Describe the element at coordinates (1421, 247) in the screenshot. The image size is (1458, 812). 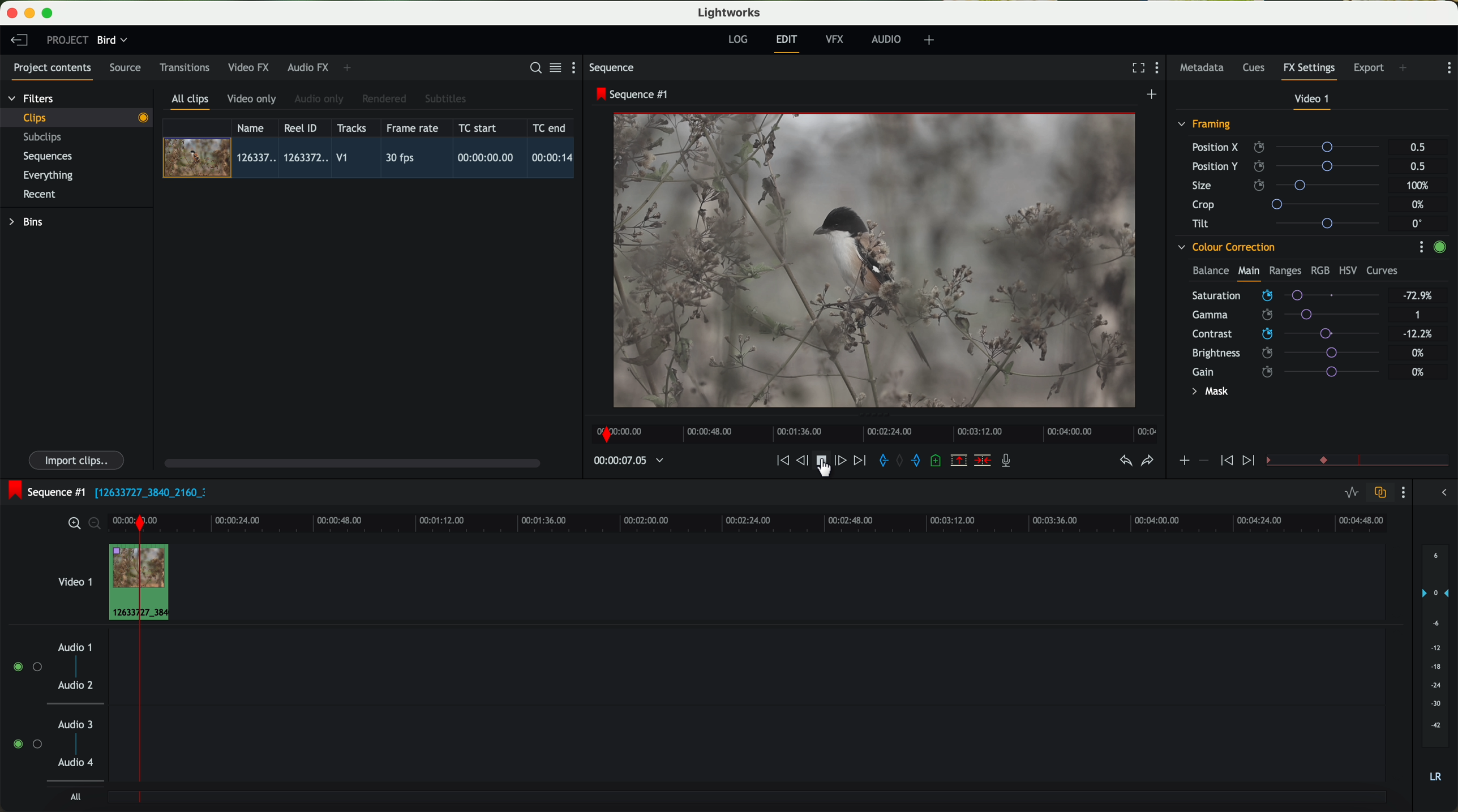
I see `show settings menu` at that location.